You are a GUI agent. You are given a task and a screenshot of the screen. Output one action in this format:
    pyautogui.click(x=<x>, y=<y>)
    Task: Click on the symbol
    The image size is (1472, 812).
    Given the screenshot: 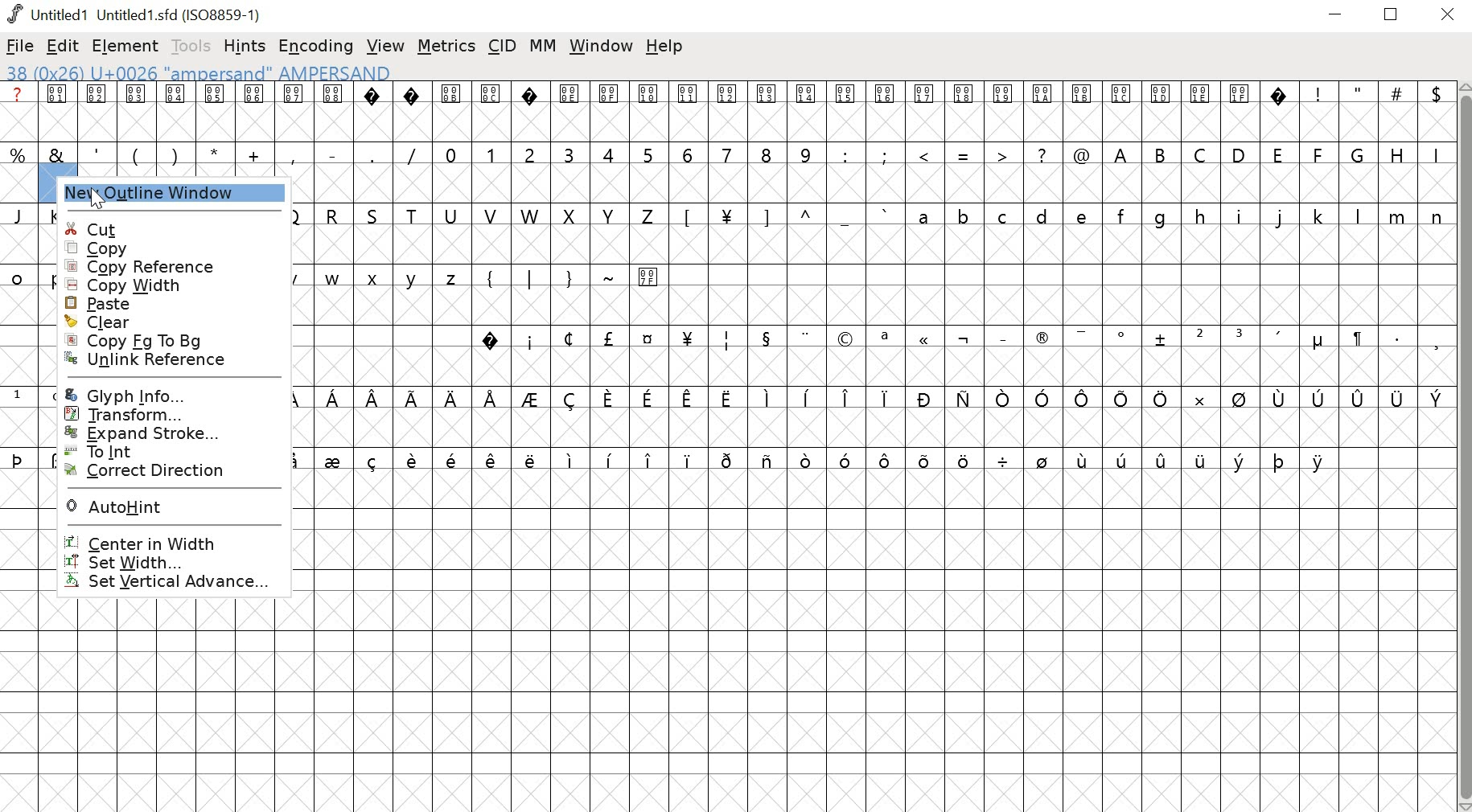 What is the action you would take?
    pyautogui.click(x=1280, y=460)
    